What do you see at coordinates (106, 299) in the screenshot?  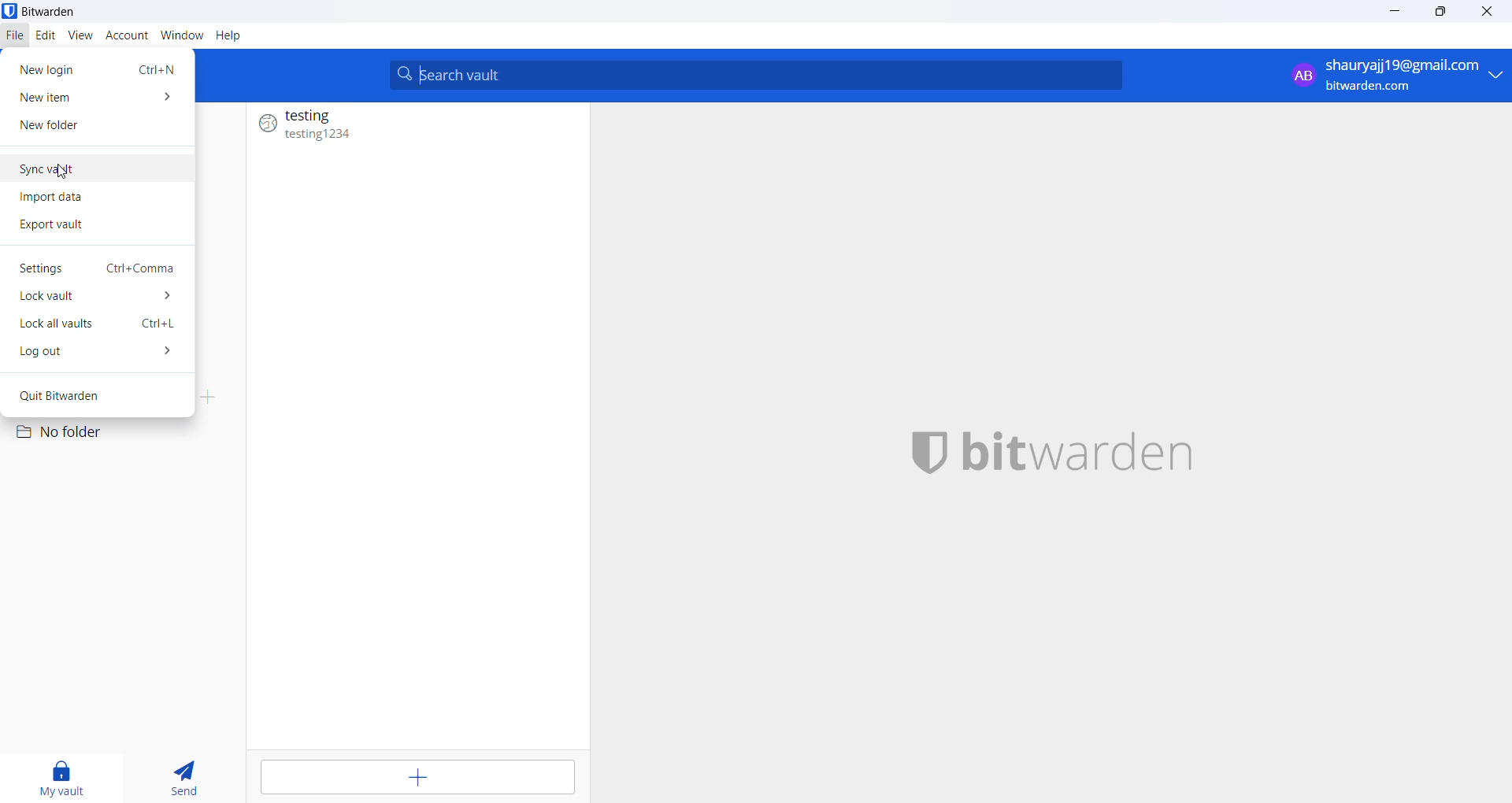 I see `lock vaults` at bounding box center [106, 299].